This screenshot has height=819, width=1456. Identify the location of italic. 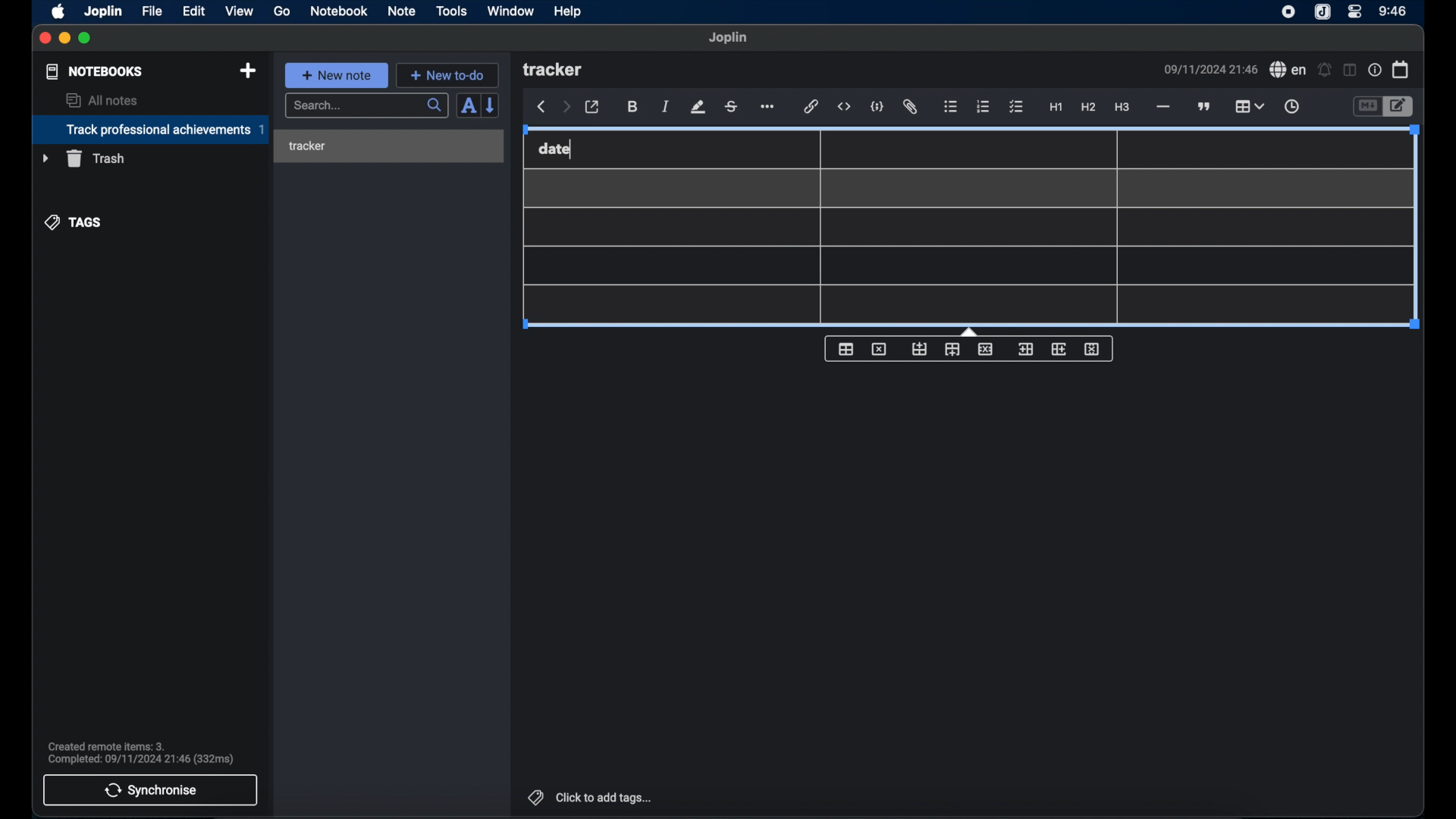
(666, 108).